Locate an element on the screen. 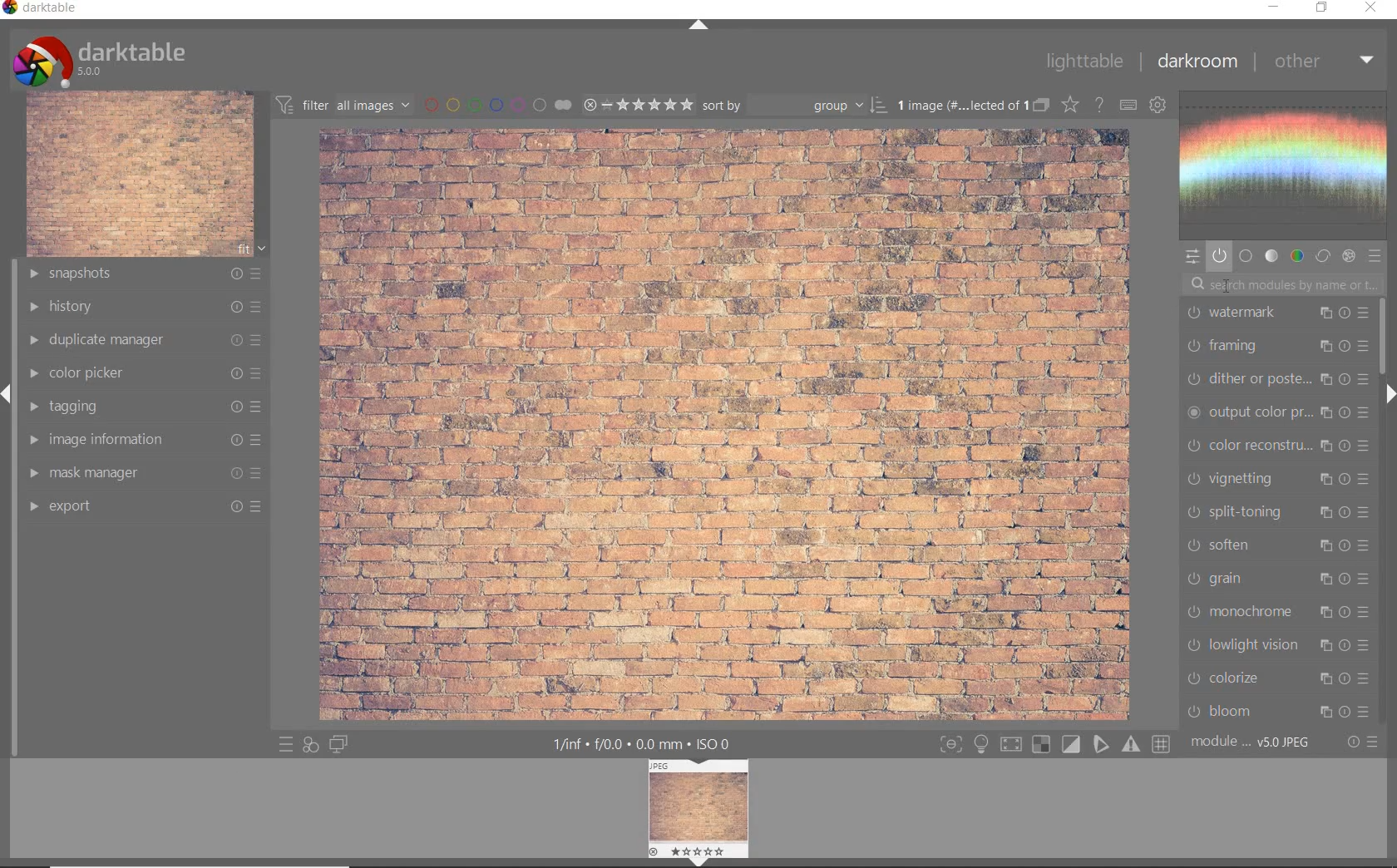 The width and height of the screenshot is (1397, 868). darkroom is located at coordinates (1197, 62).